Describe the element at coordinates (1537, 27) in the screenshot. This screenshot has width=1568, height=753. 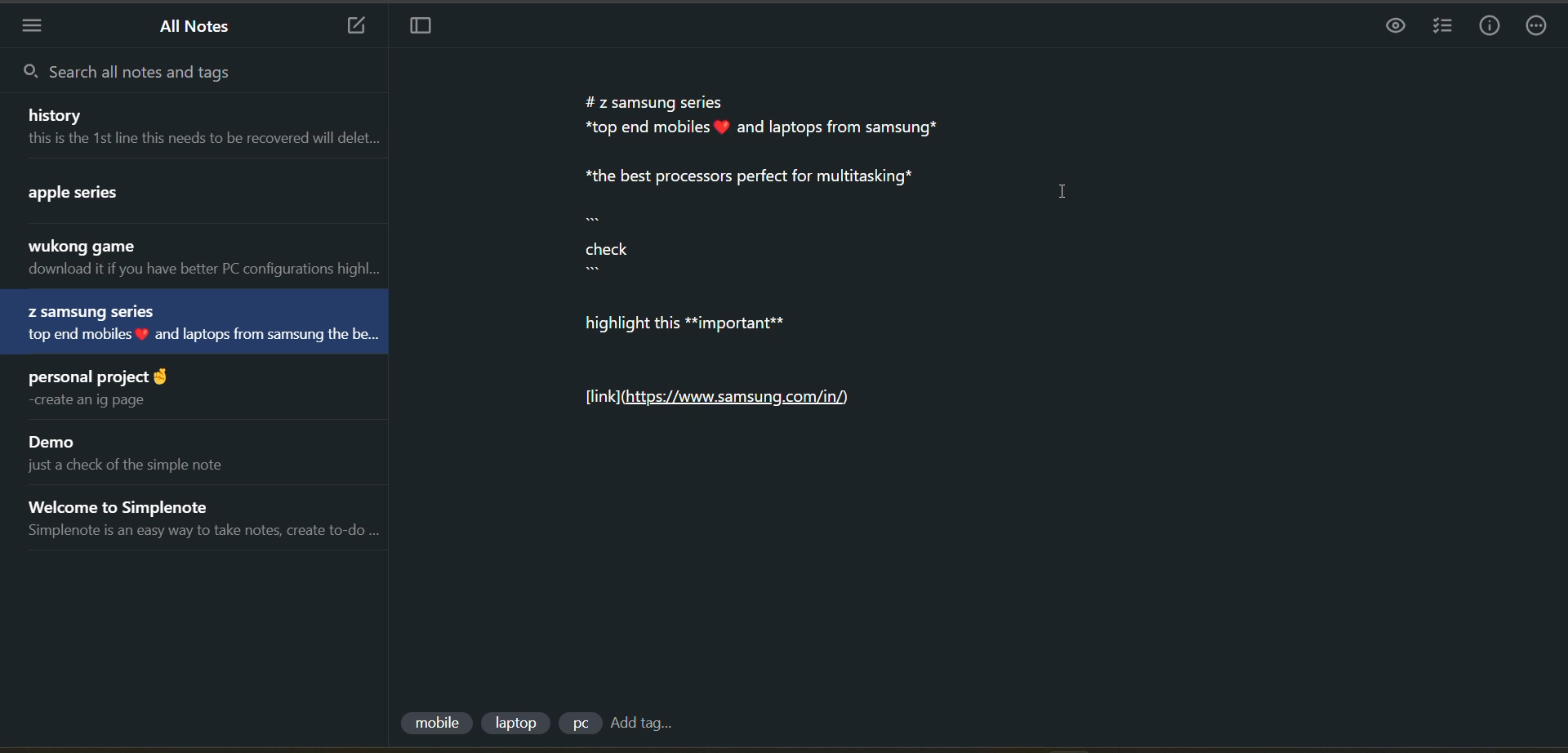
I see `actions` at that location.